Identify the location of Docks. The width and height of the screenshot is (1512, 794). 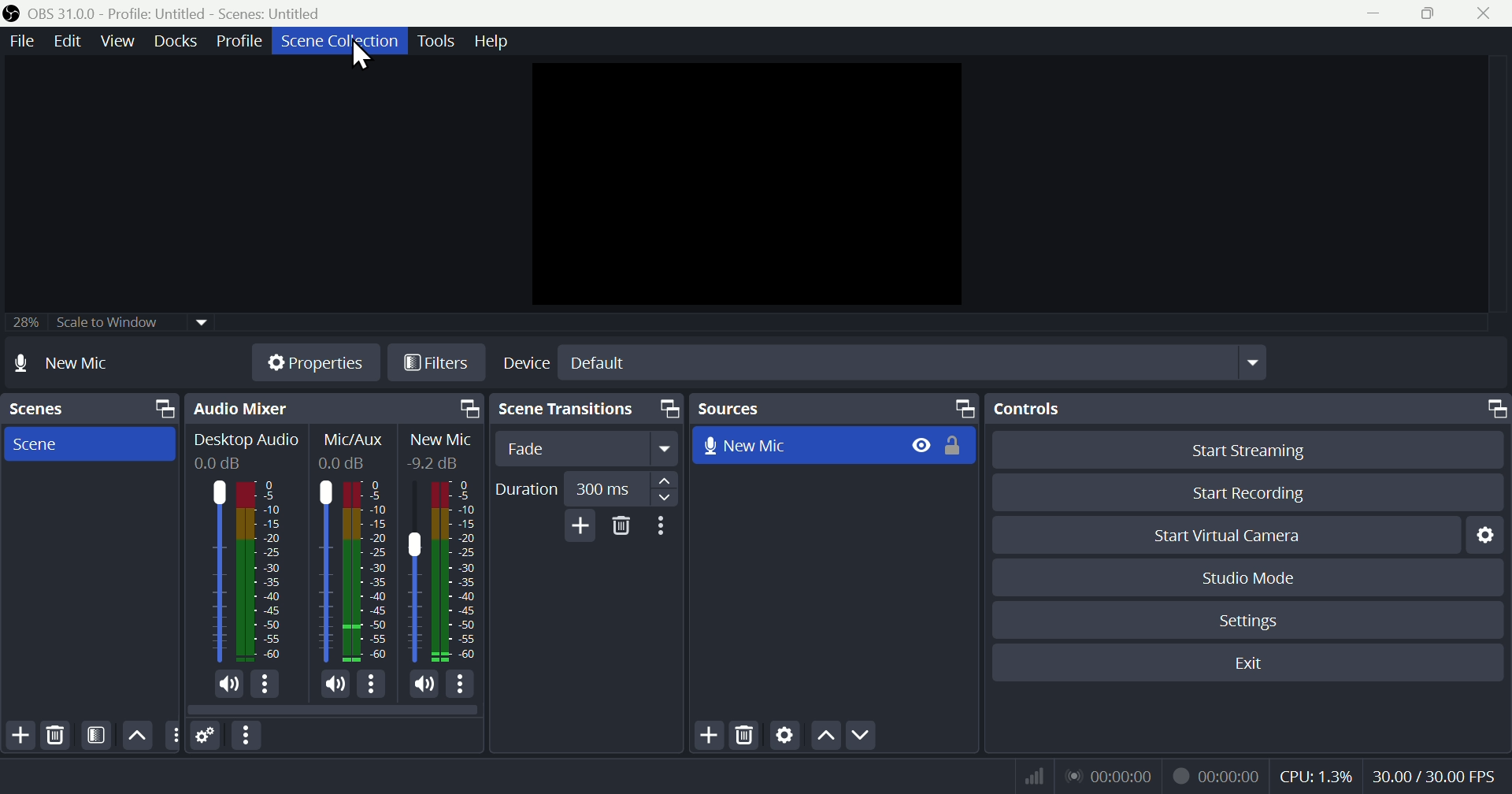
(172, 44).